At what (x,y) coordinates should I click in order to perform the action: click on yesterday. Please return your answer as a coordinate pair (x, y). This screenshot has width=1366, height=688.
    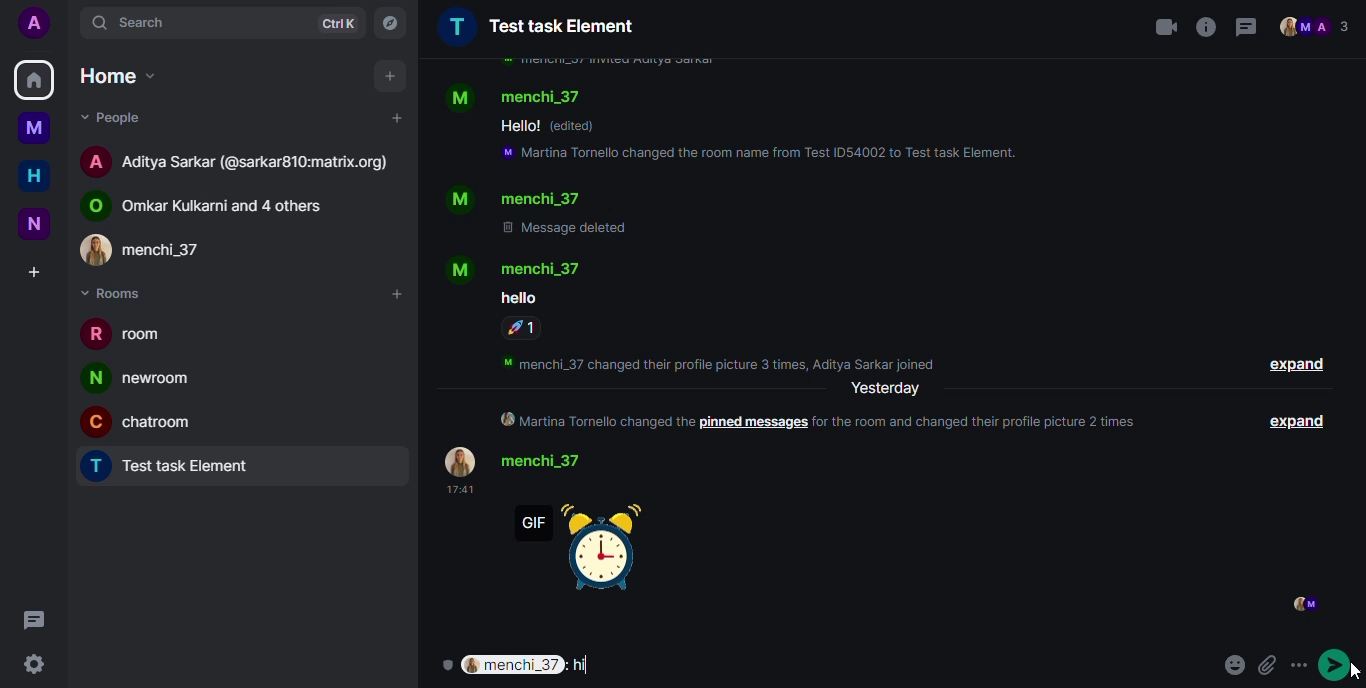
    Looking at the image, I should click on (886, 389).